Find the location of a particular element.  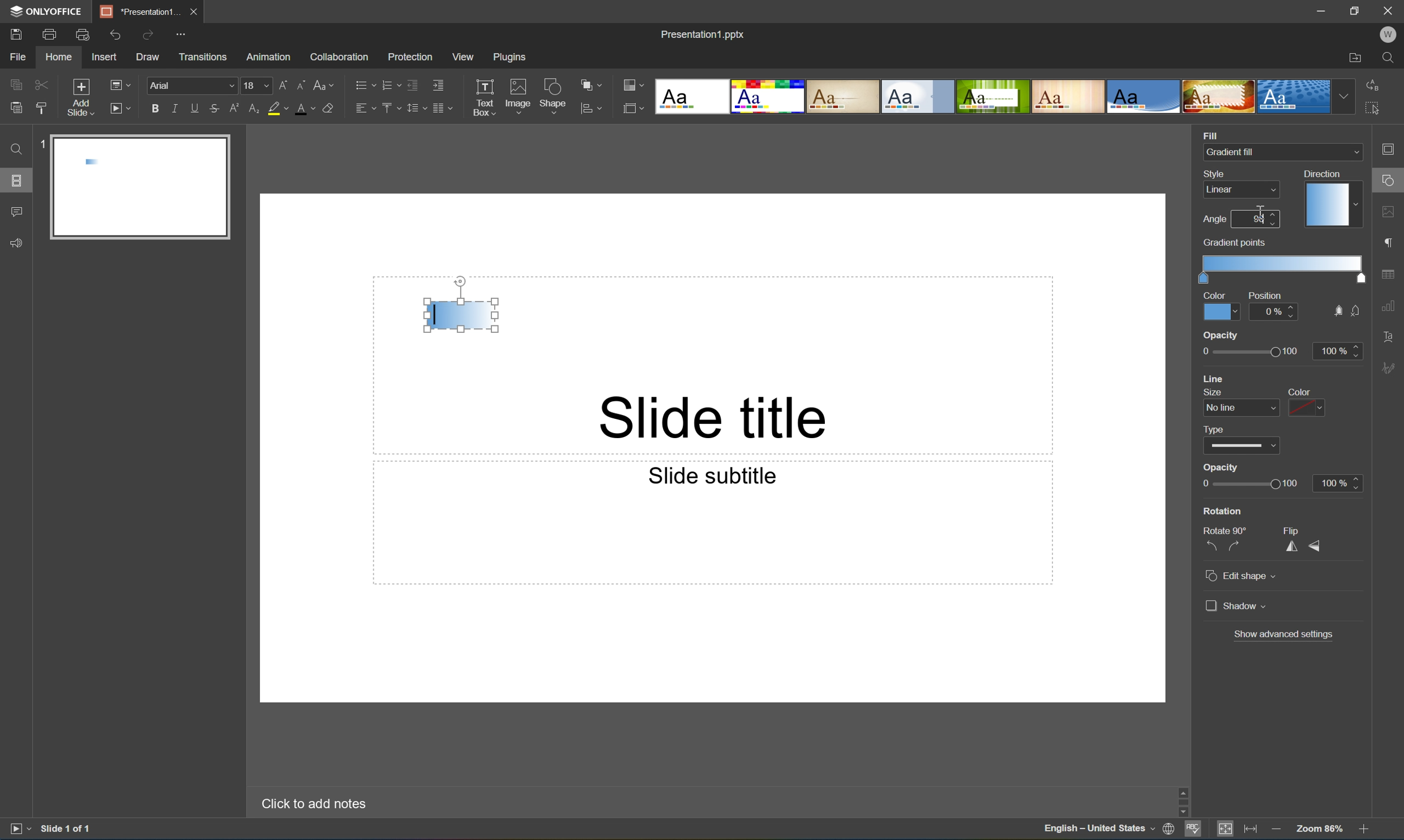

Arrange shape is located at coordinates (594, 85).